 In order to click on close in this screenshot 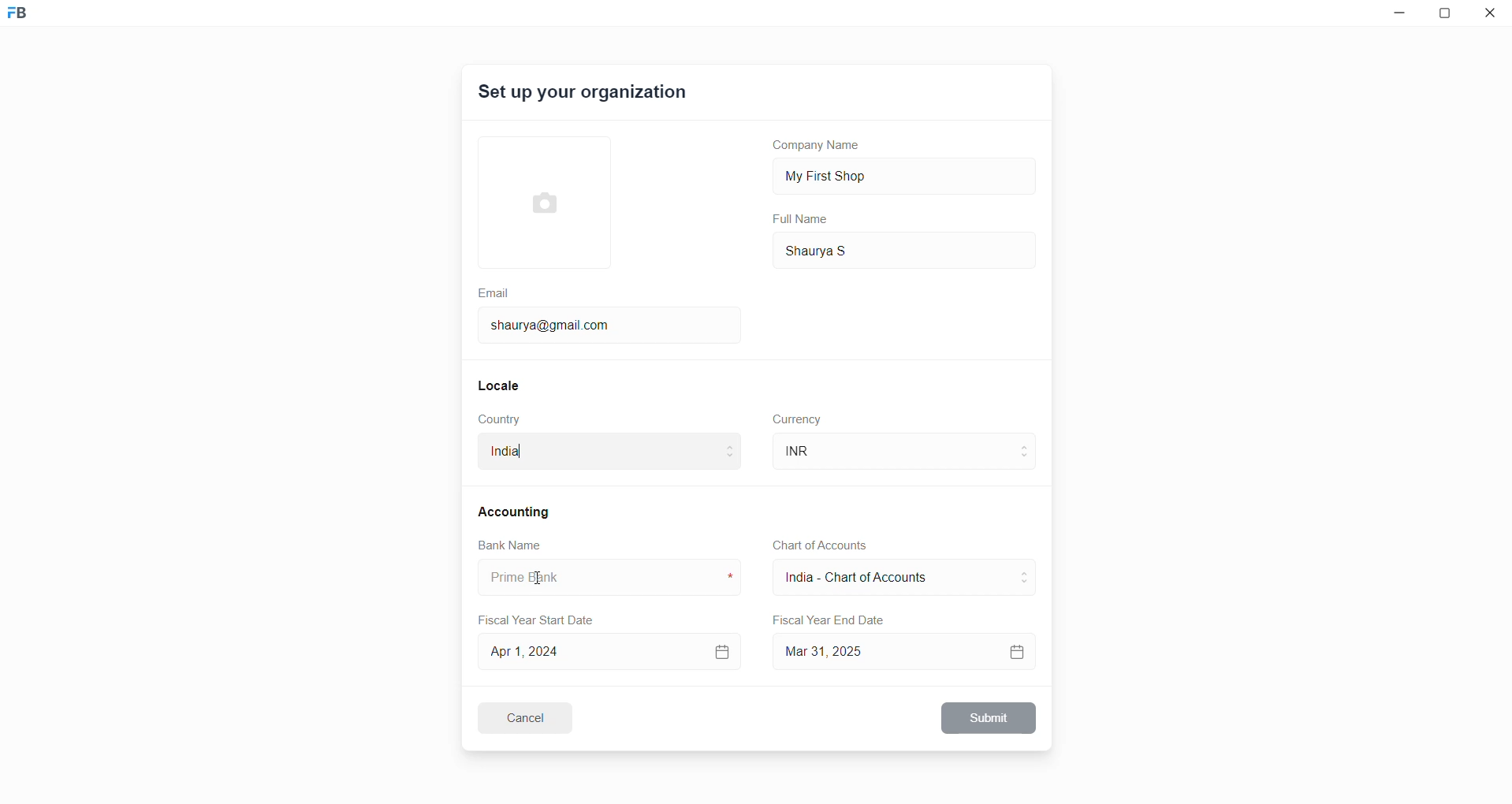, I will do `click(1491, 16)`.